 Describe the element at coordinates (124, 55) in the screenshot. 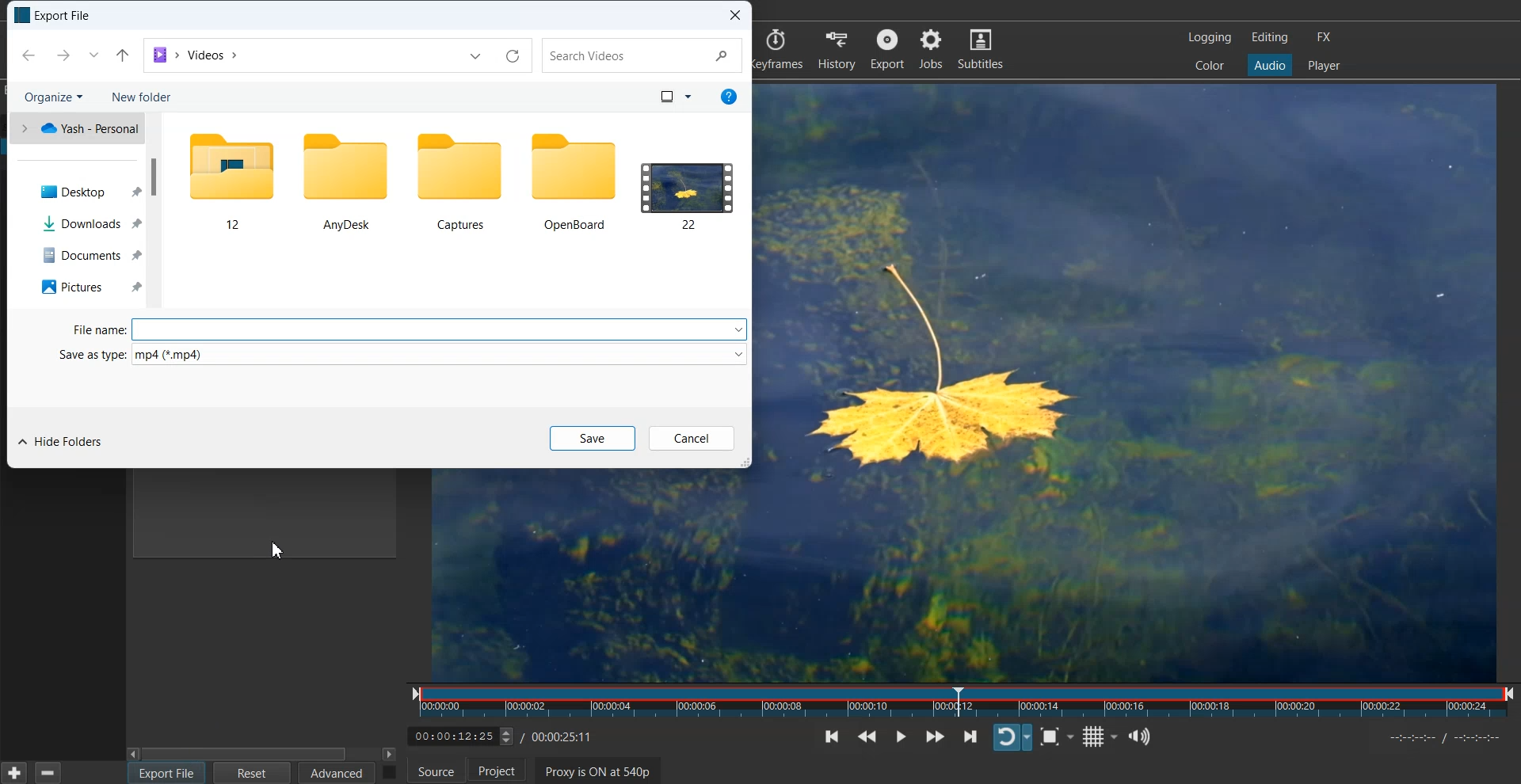

I see `share` at that location.